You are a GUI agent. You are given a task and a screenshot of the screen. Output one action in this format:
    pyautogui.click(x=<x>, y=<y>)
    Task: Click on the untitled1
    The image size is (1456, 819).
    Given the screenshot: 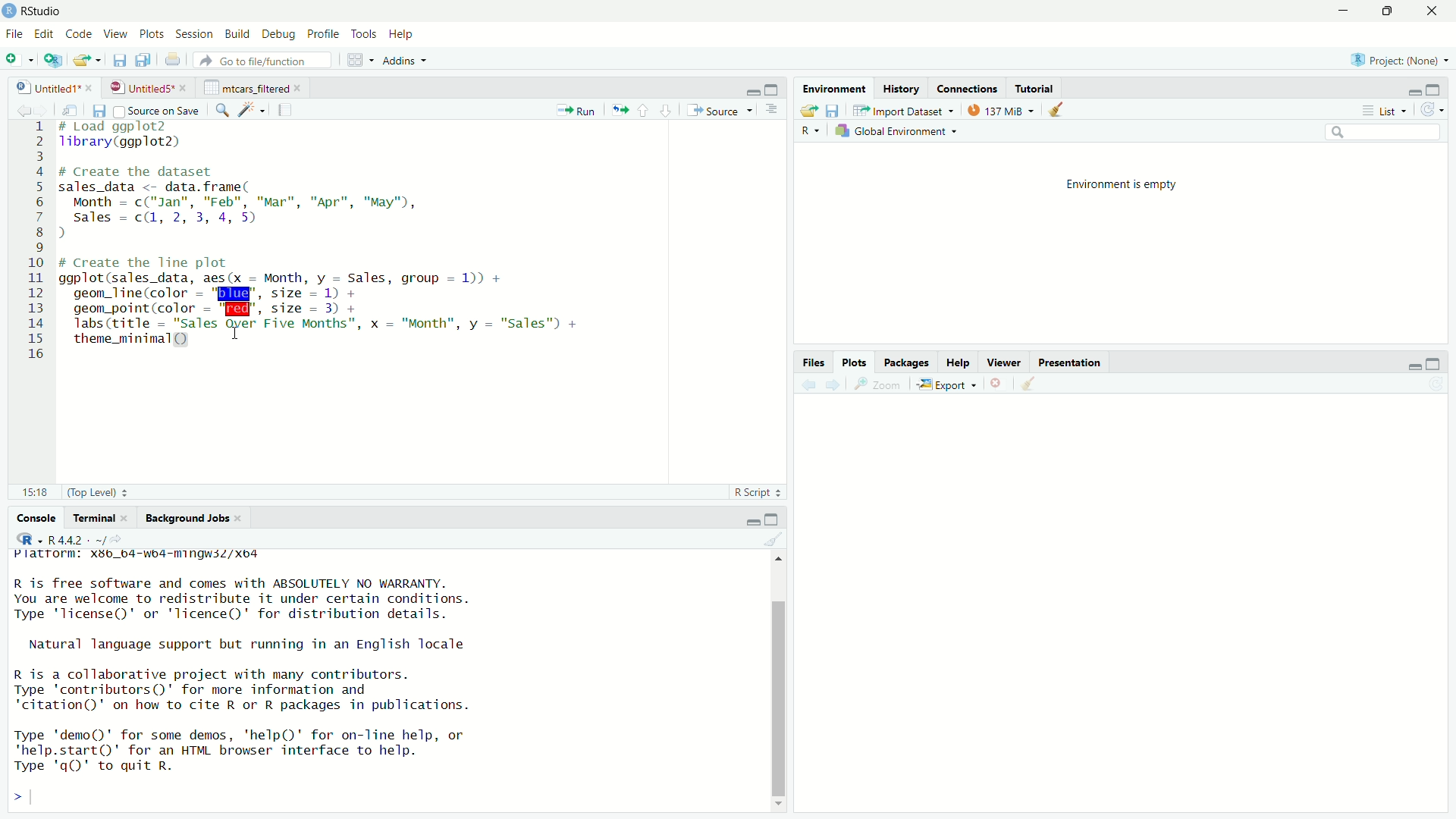 What is the action you would take?
    pyautogui.click(x=46, y=88)
    